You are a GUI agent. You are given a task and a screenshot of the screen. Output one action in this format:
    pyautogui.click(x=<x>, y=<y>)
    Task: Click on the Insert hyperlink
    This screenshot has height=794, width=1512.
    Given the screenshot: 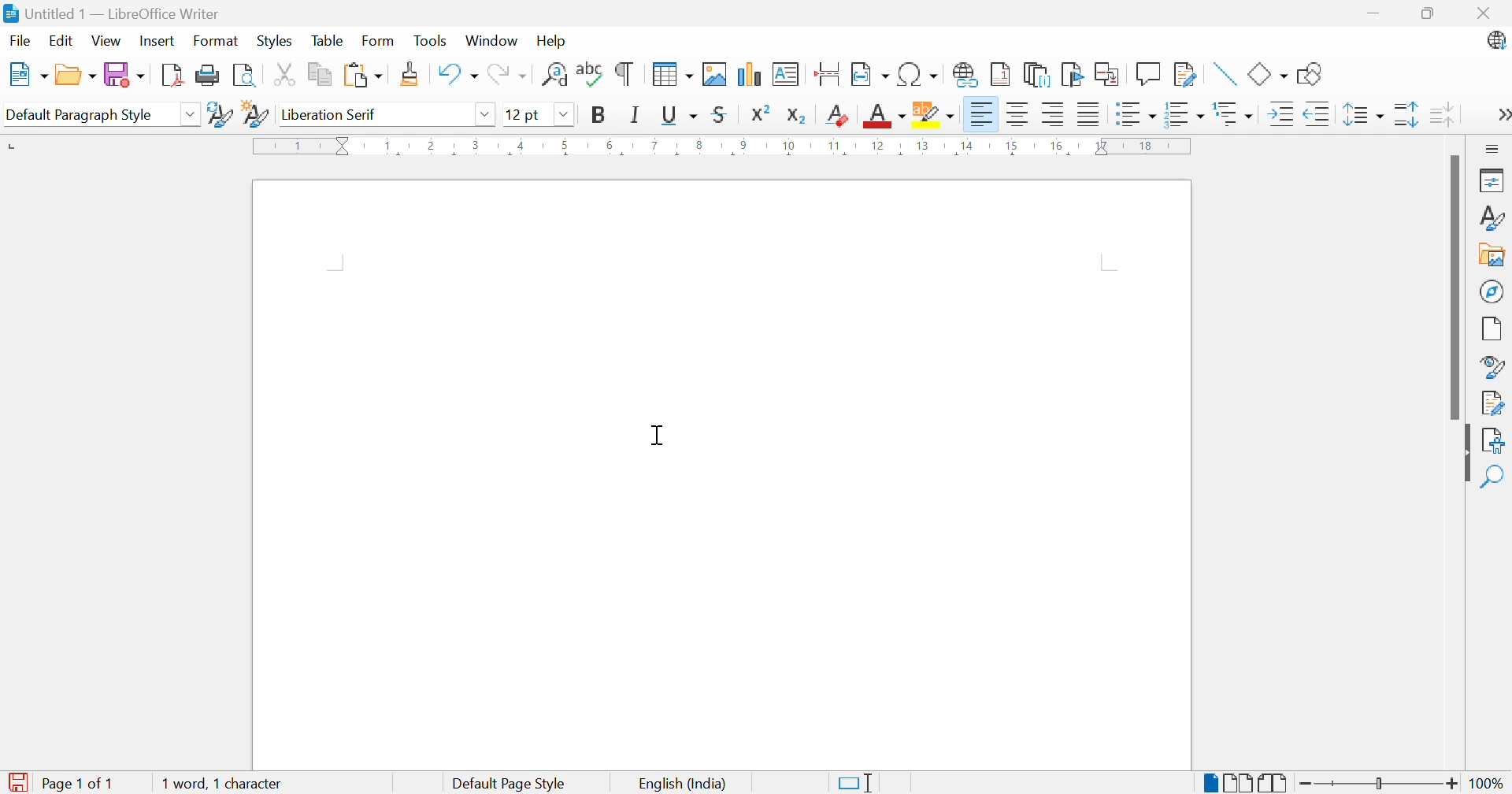 What is the action you would take?
    pyautogui.click(x=965, y=77)
    